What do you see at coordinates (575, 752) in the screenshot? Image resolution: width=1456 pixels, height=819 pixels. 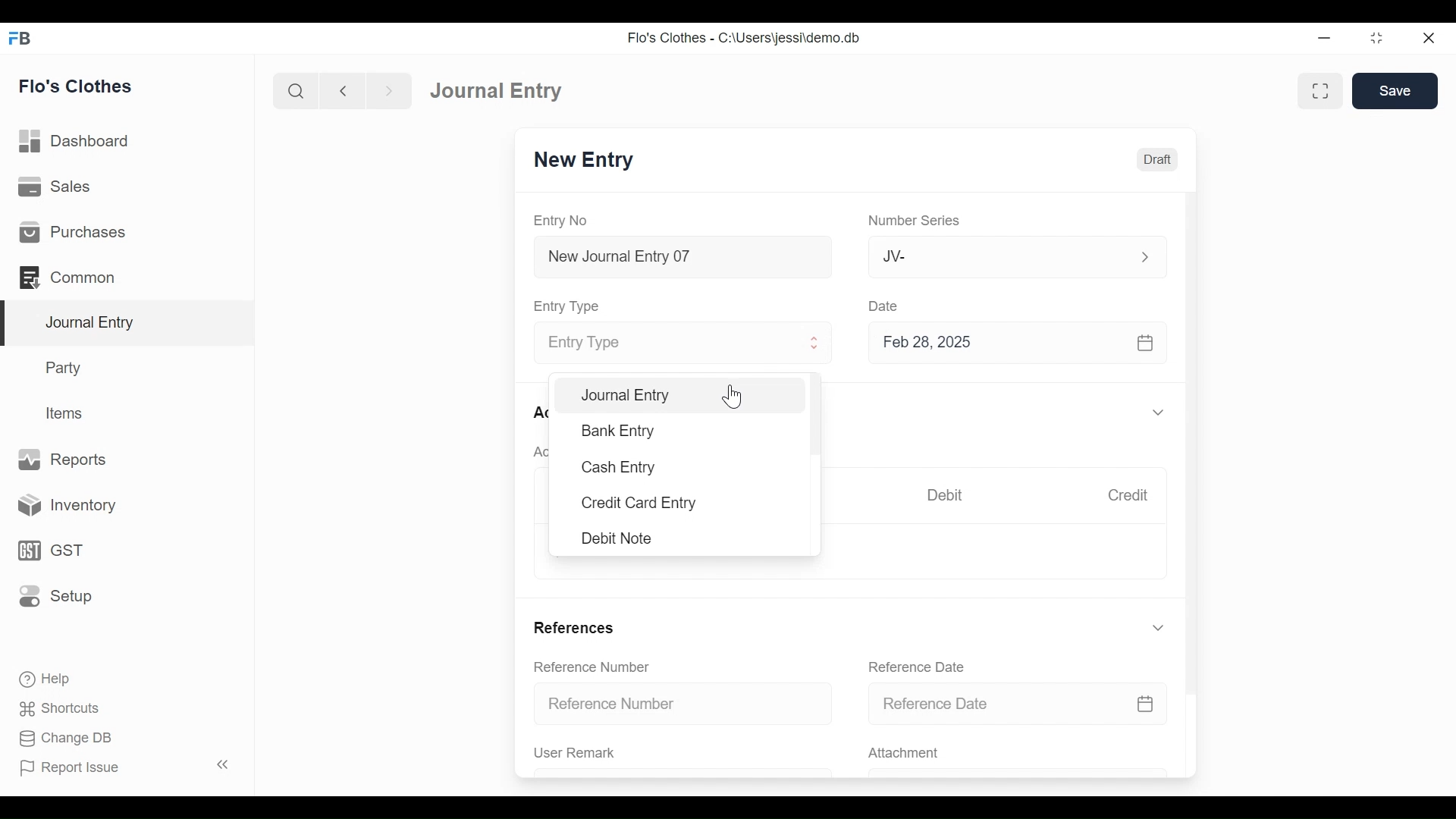 I see `User Remark` at bounding box center [575, 752].